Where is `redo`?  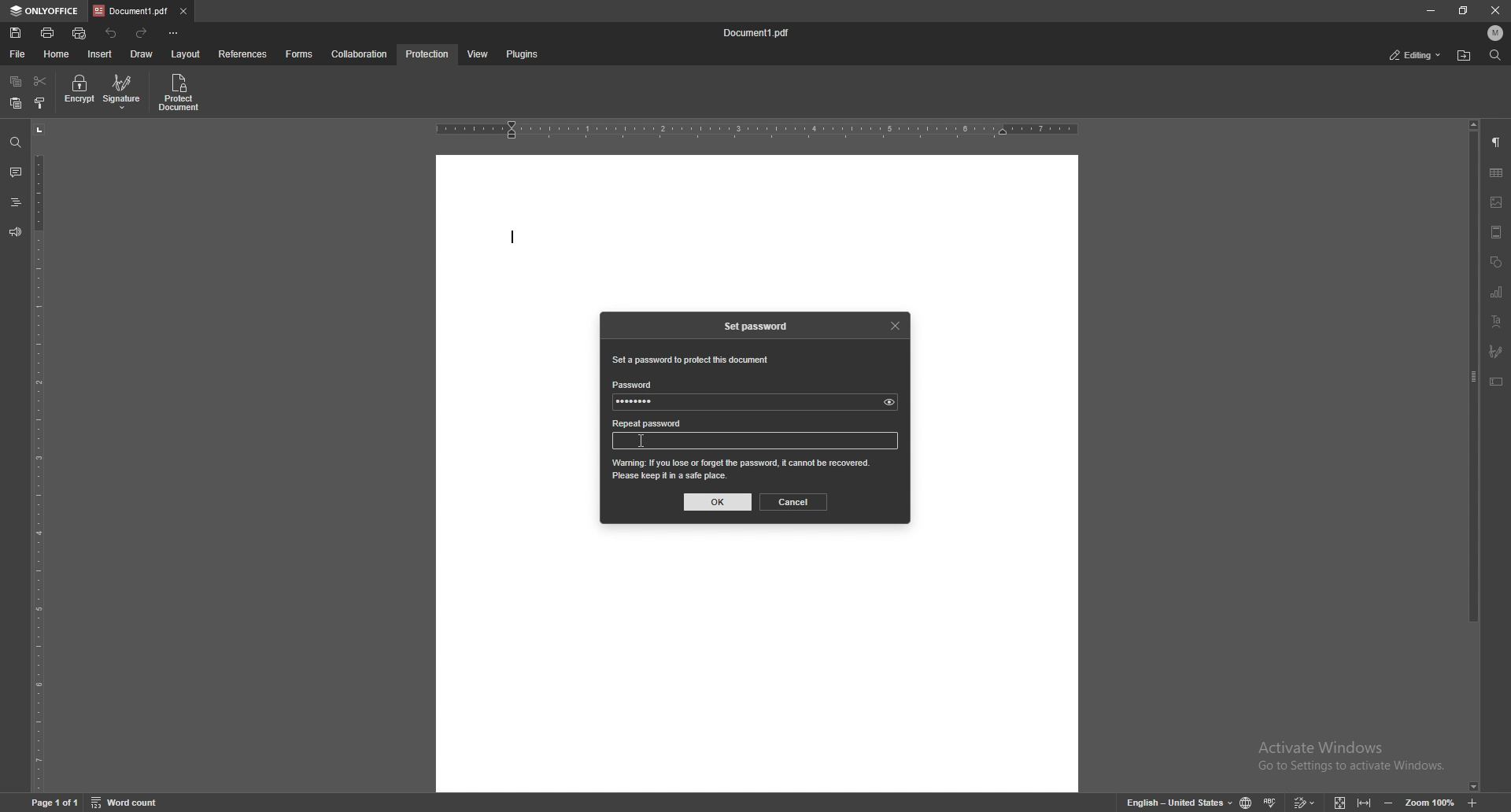 redo is located at coordinates (144, 34).